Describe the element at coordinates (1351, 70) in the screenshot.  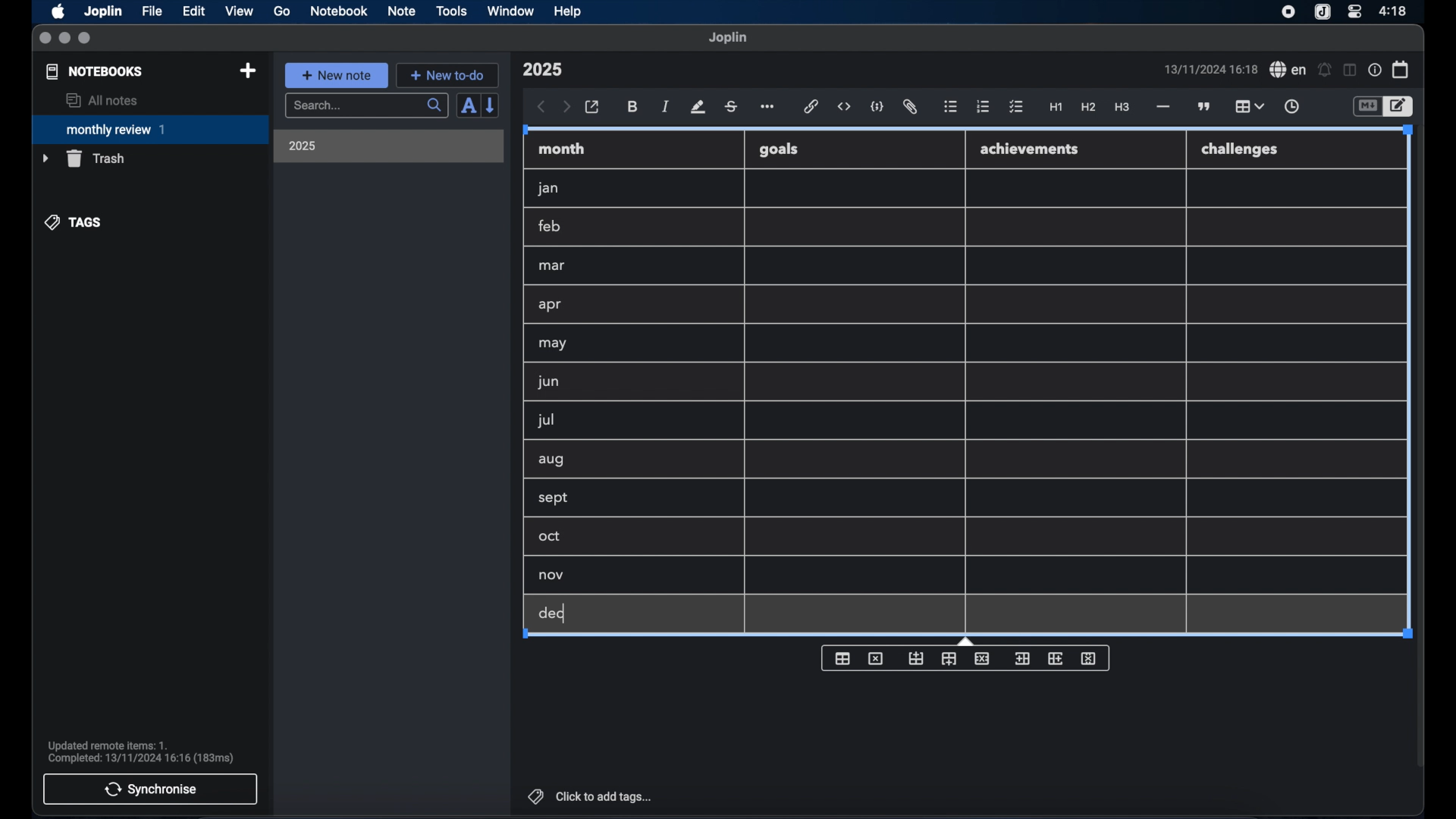
I see `toggle editor layout` at that location.